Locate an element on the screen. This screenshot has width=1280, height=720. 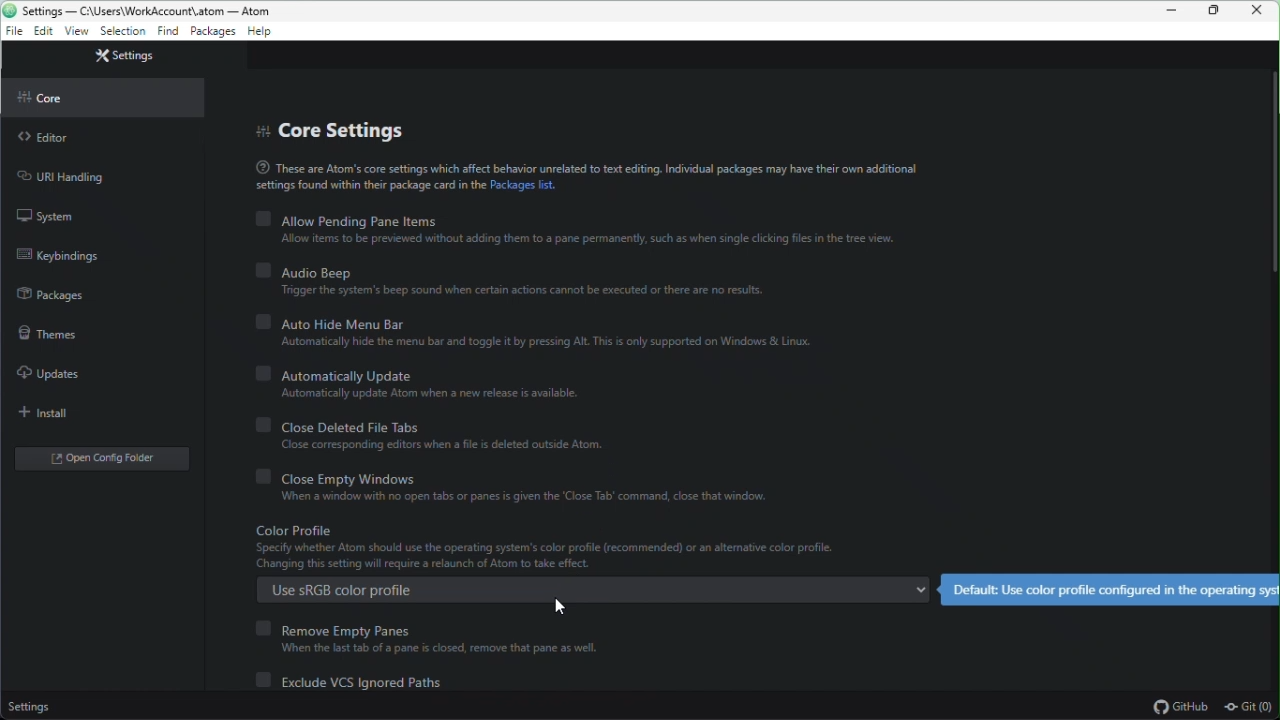
Automatically update is located at coordinates (424, 384).